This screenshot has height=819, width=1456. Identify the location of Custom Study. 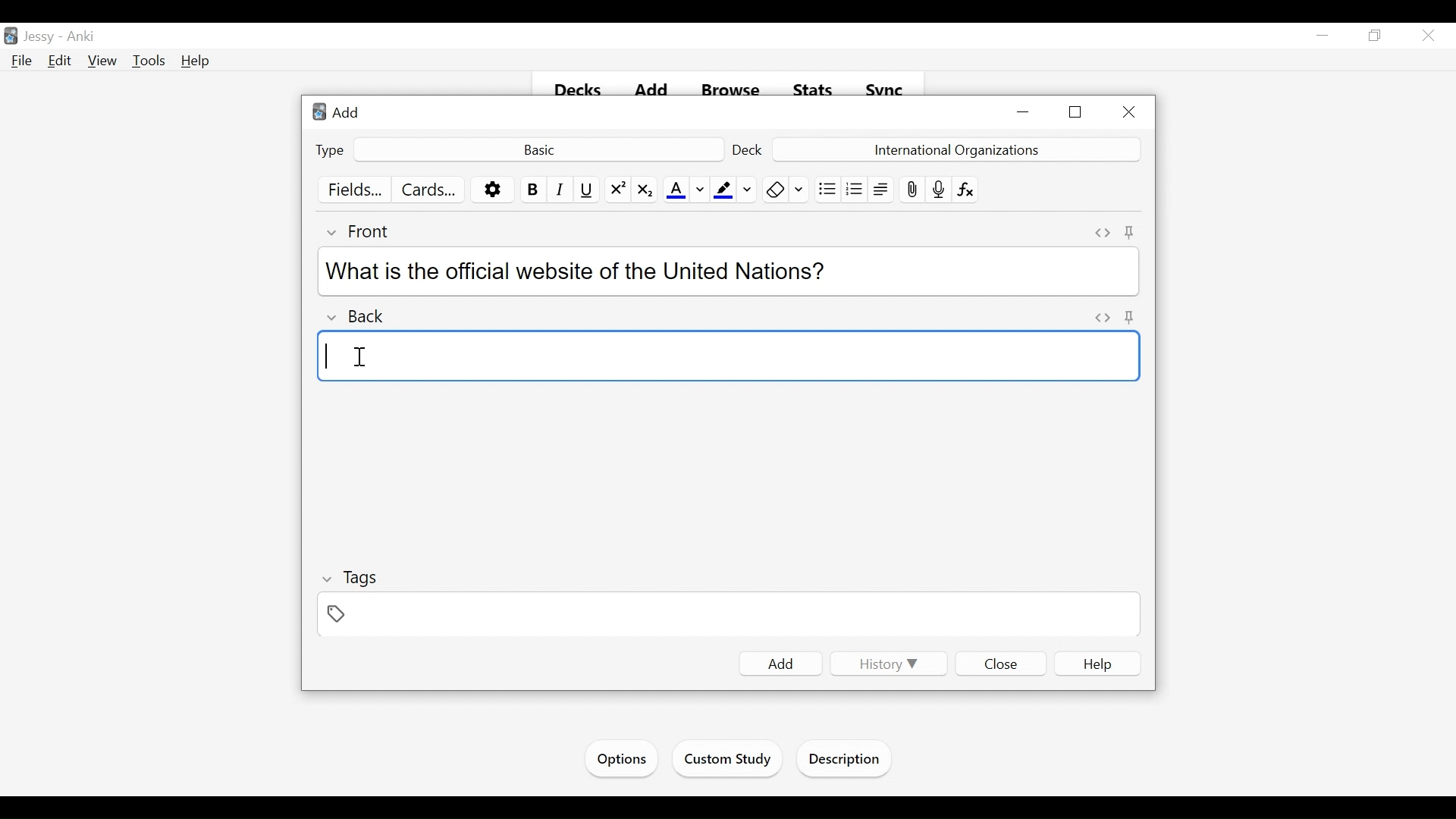
(726, 761).